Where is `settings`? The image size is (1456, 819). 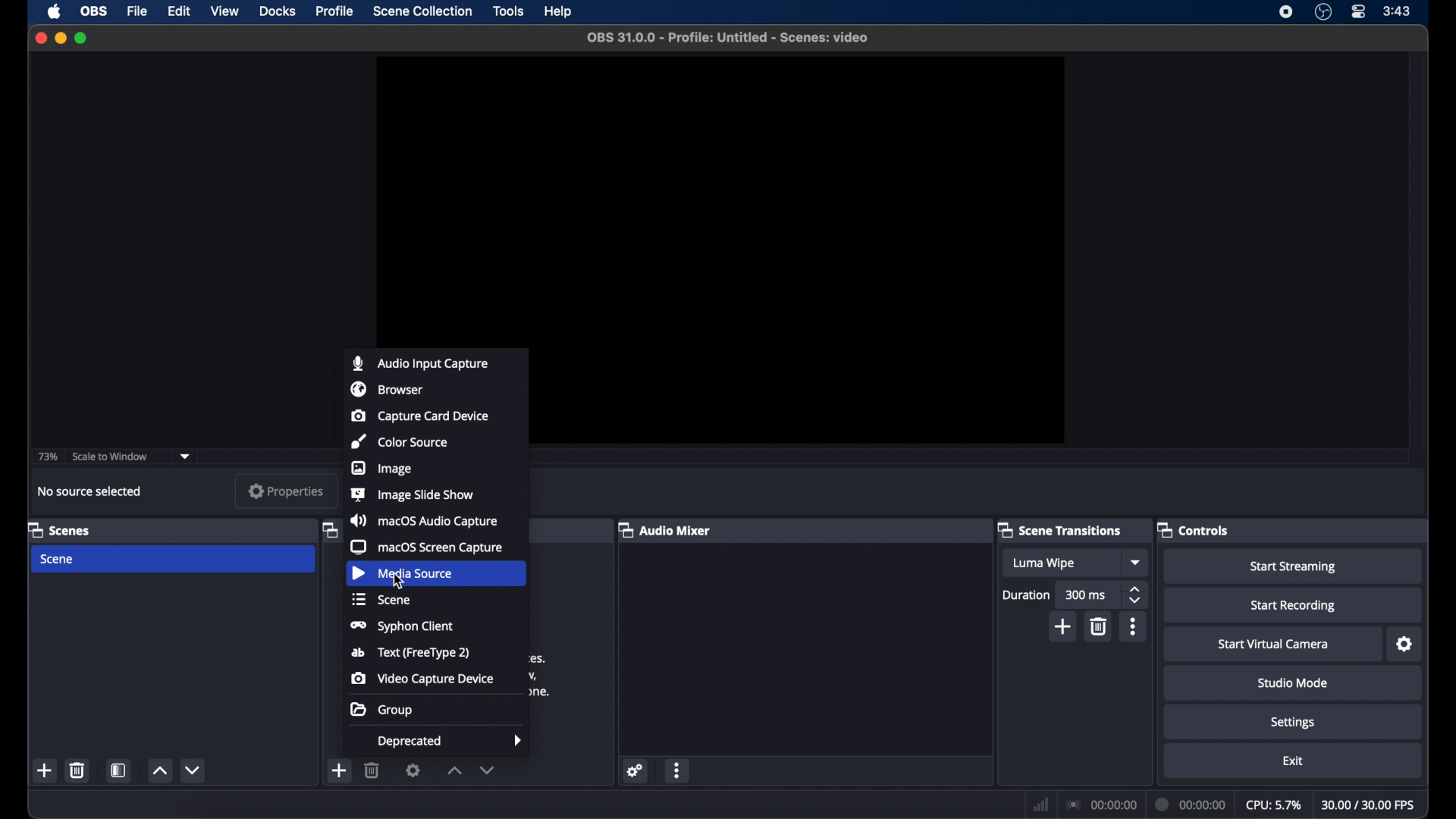
settings is located at coordinates (413, 770).